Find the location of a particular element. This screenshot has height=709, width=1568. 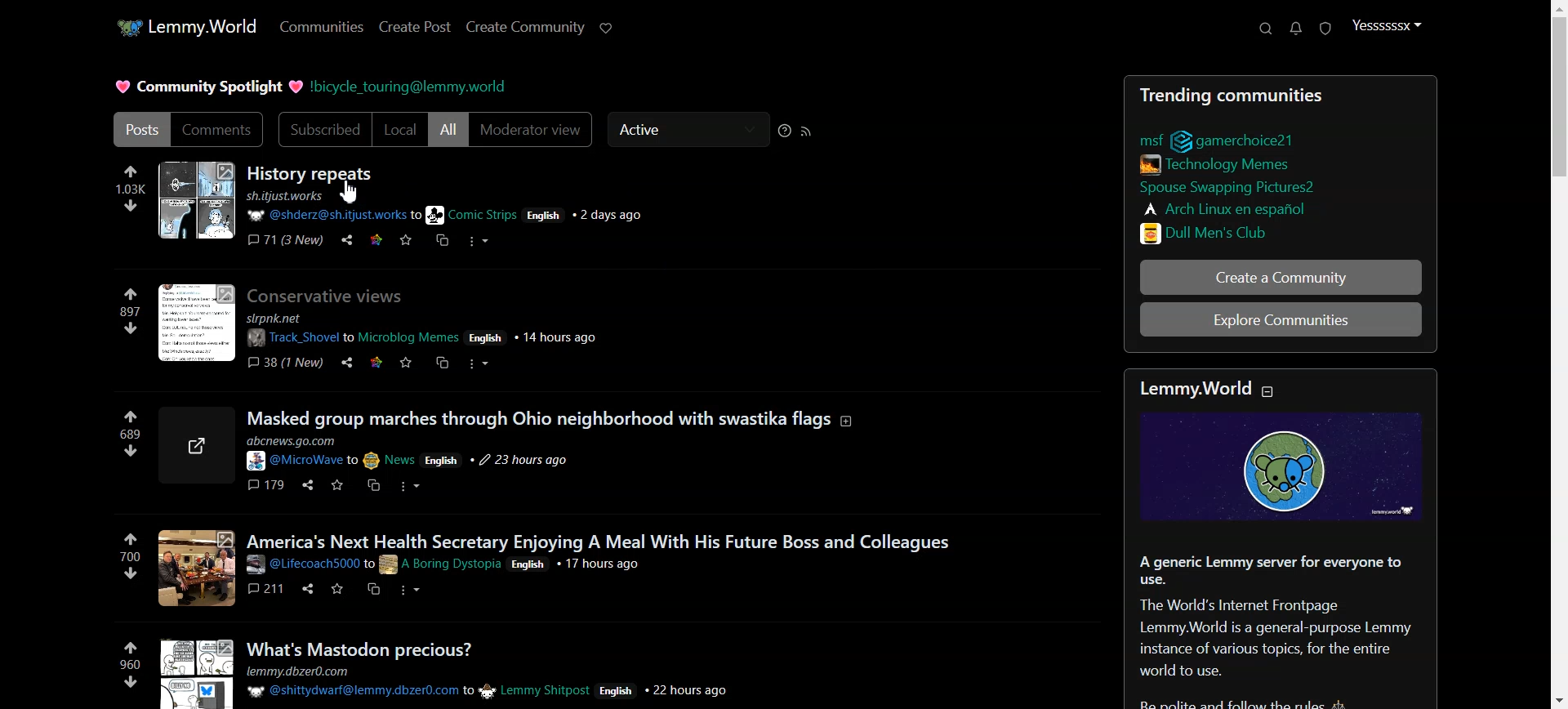

17 hours ago is located at coordinates (603, 564).